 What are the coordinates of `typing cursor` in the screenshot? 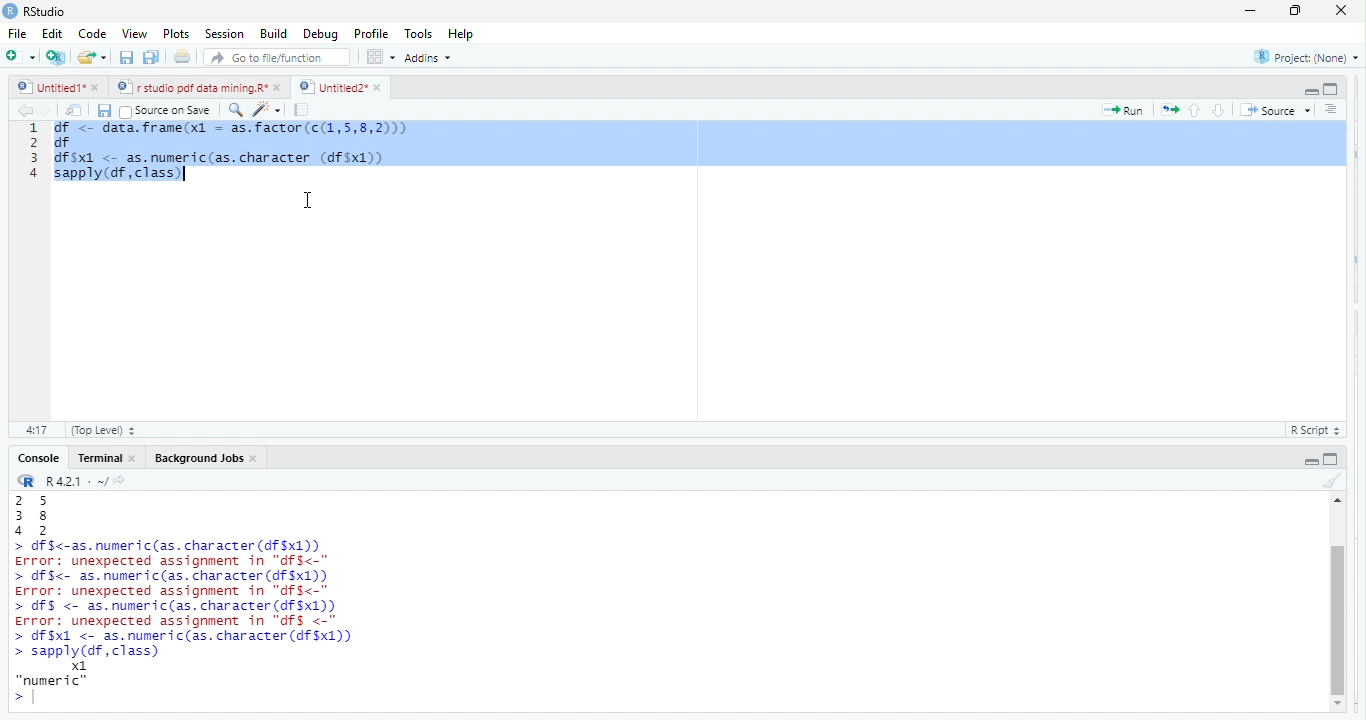 It's located at (189, 175).